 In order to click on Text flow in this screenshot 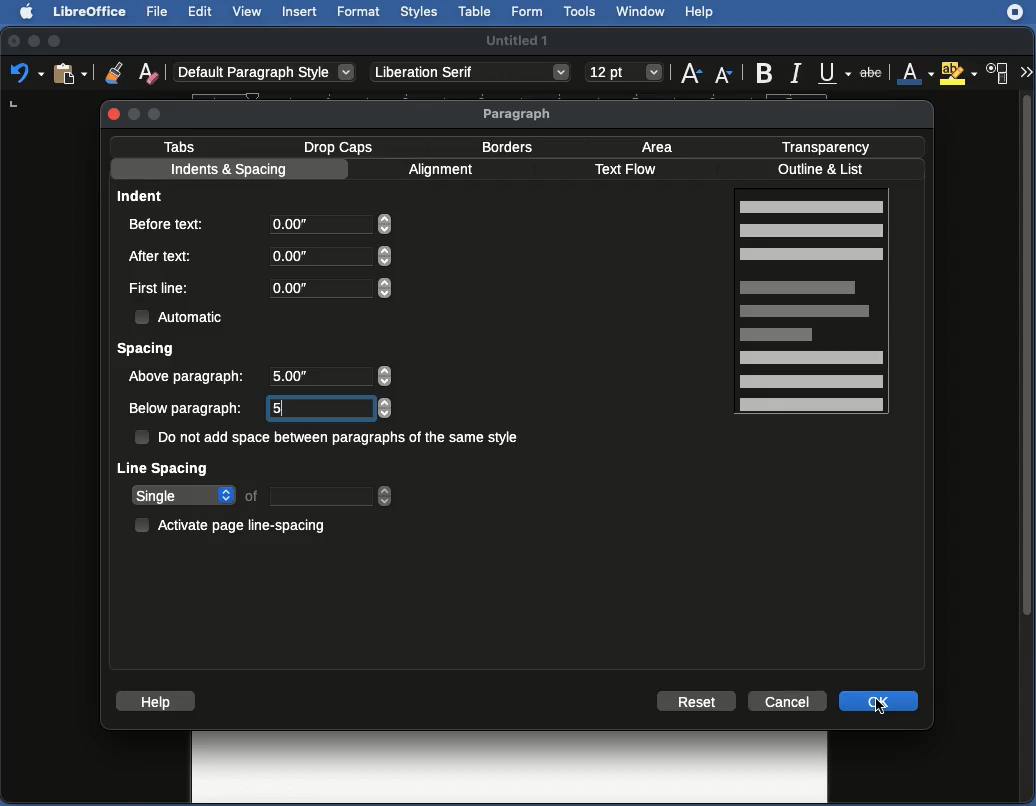, I will do `click(625, 171)`.